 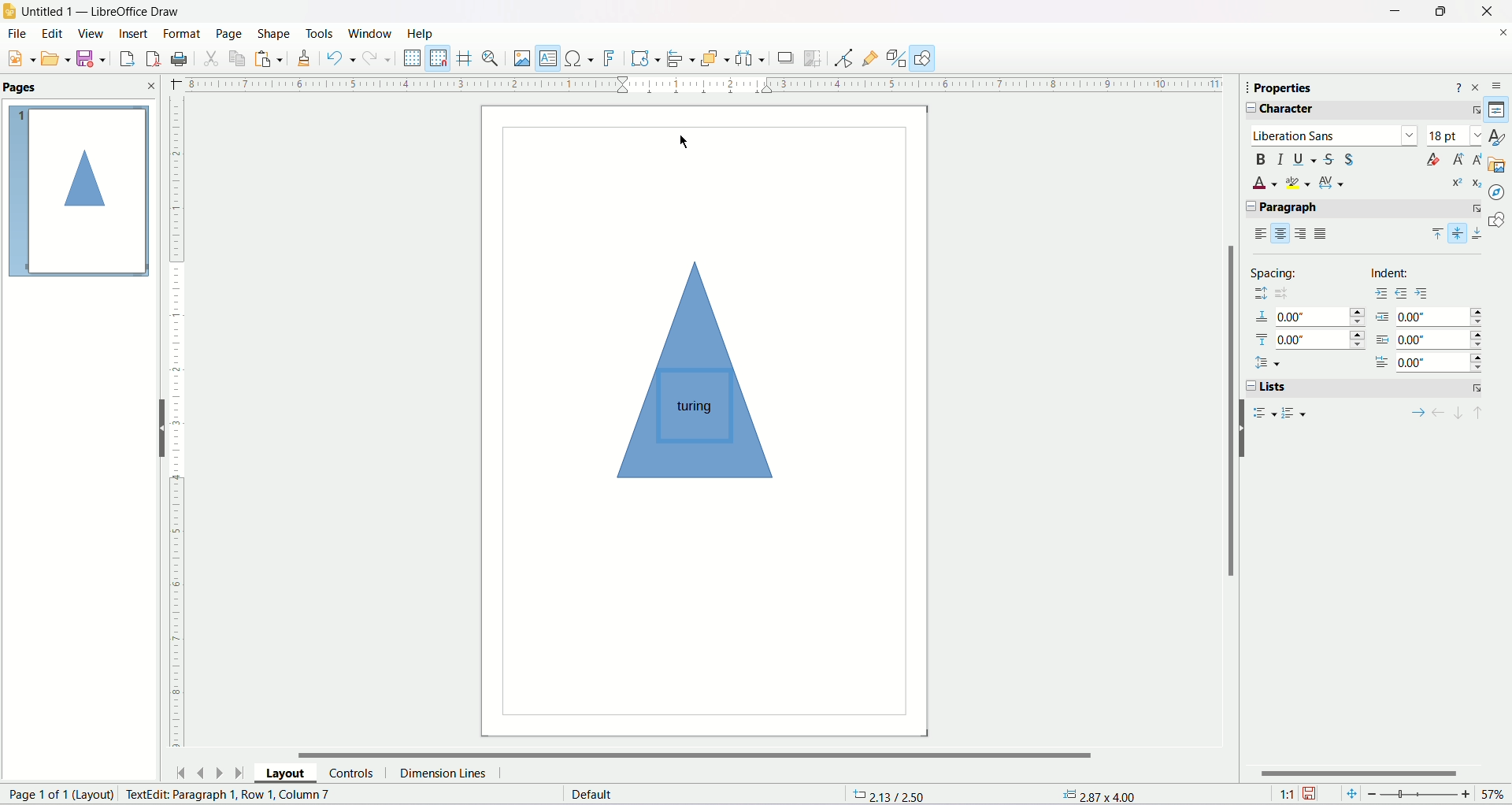 I want to click on Controls, so click(x=349, y=772).